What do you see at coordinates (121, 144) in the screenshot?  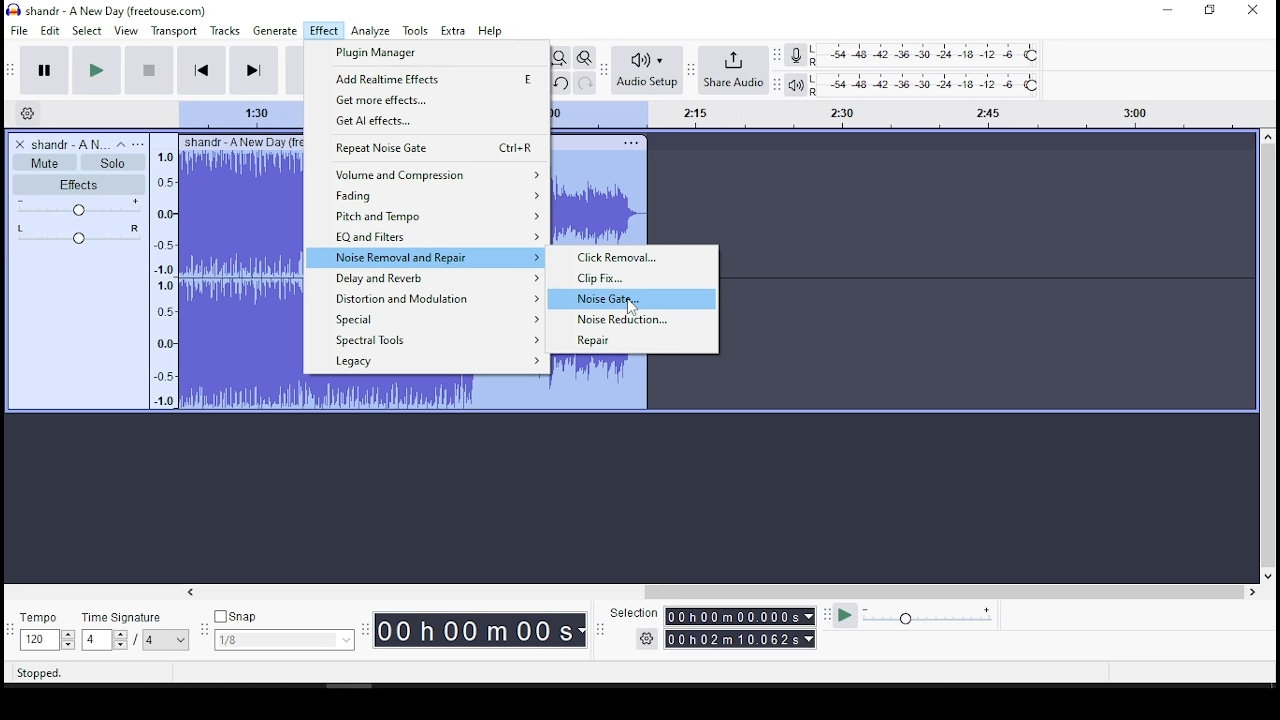 I see `collapse` at bounding box center [121, 144].